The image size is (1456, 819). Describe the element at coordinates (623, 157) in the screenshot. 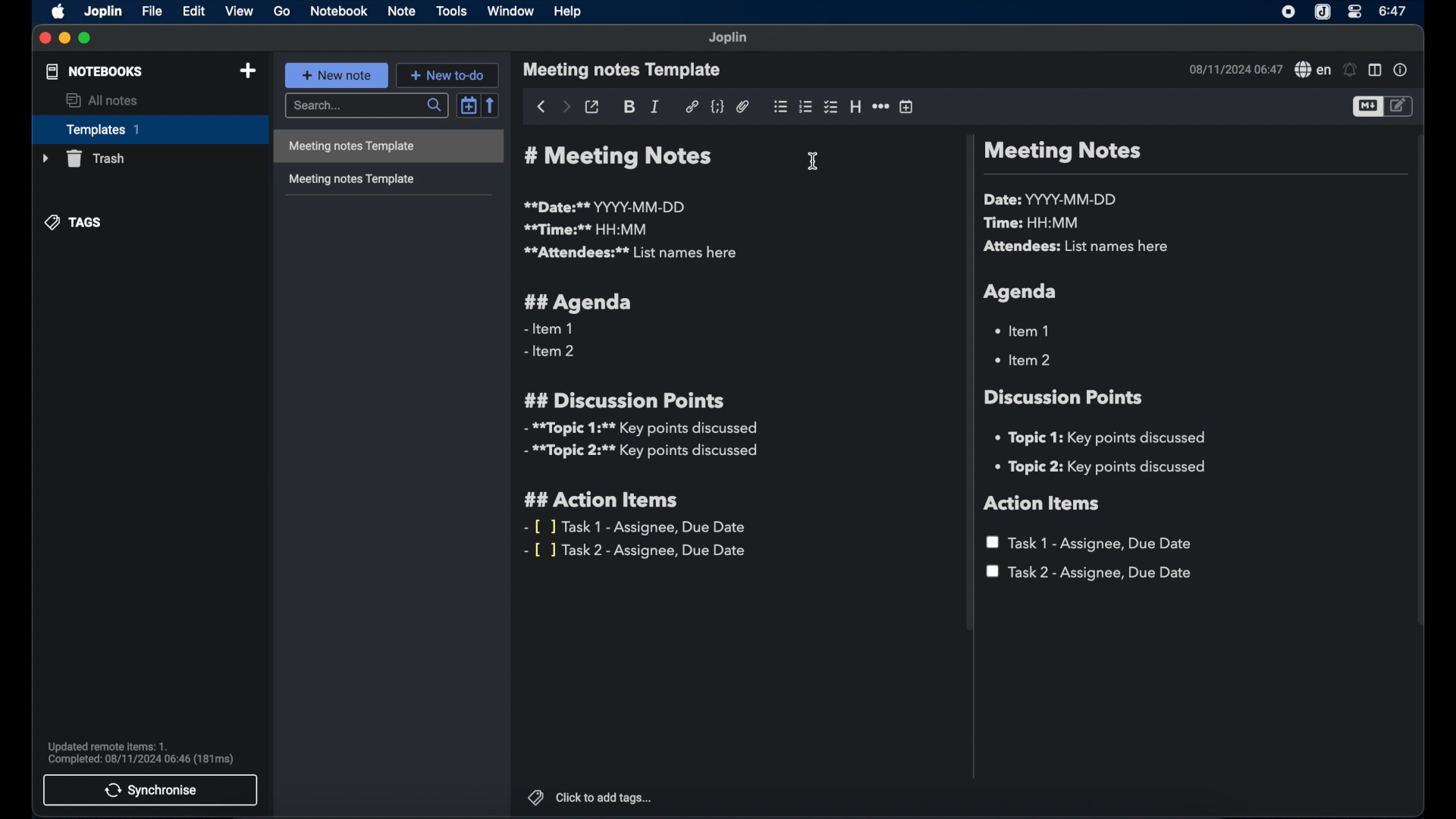

I see `# meeting notes` at that location.